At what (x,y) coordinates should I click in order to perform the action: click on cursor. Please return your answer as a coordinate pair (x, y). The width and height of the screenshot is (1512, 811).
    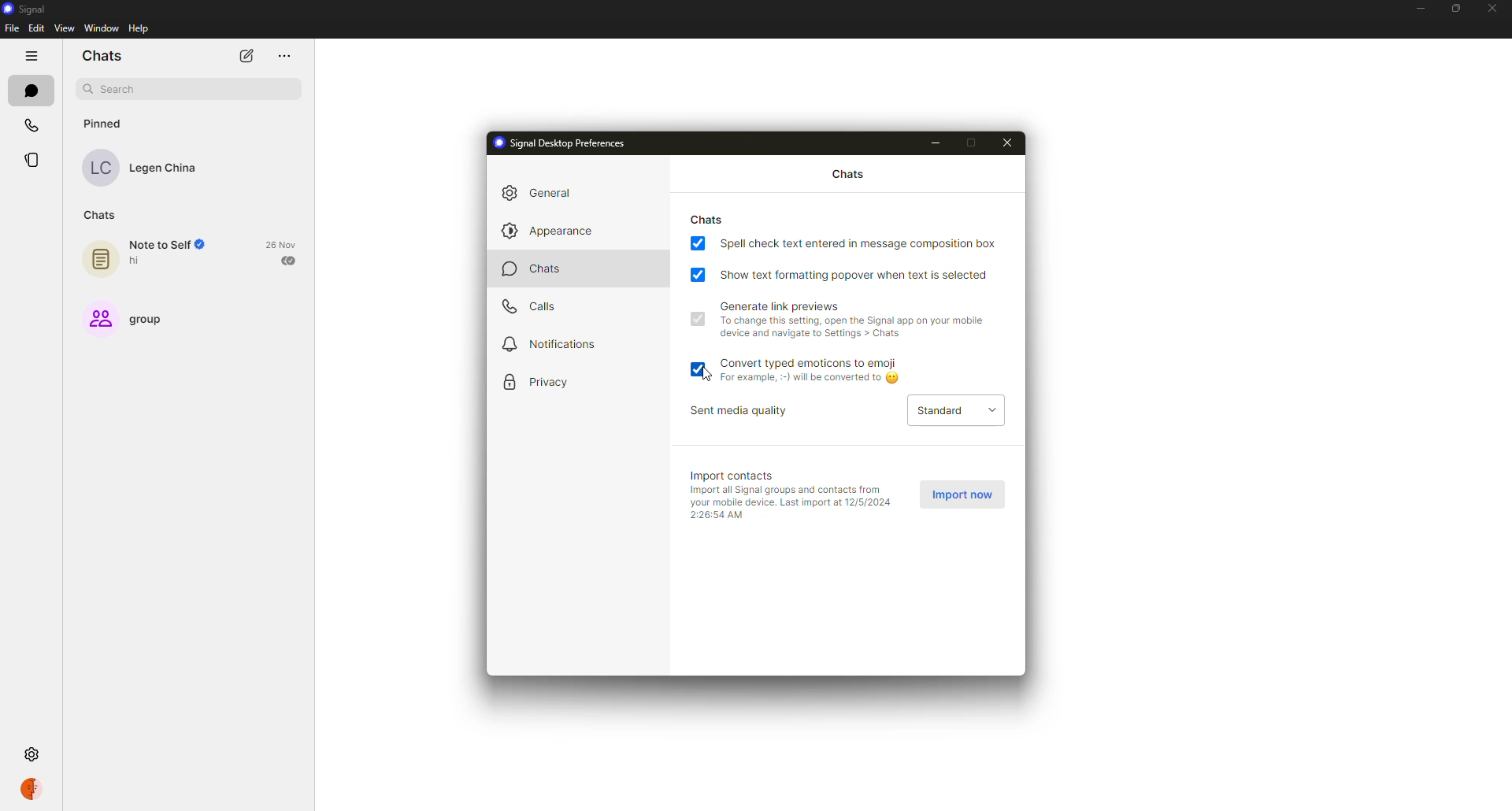
    Looking at the image, I should click on (714, 378).